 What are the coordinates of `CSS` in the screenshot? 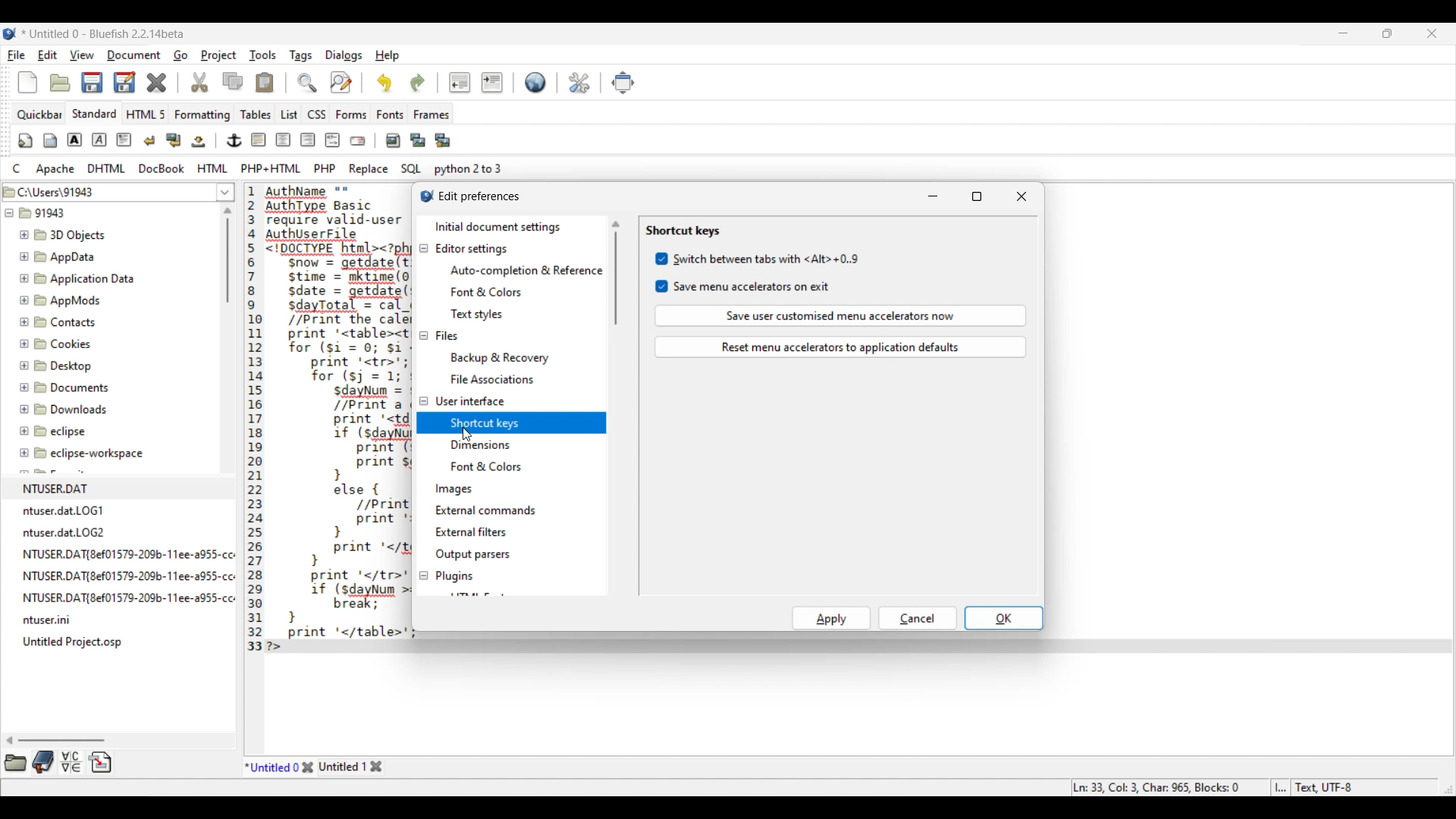 It's located at (316, 115).